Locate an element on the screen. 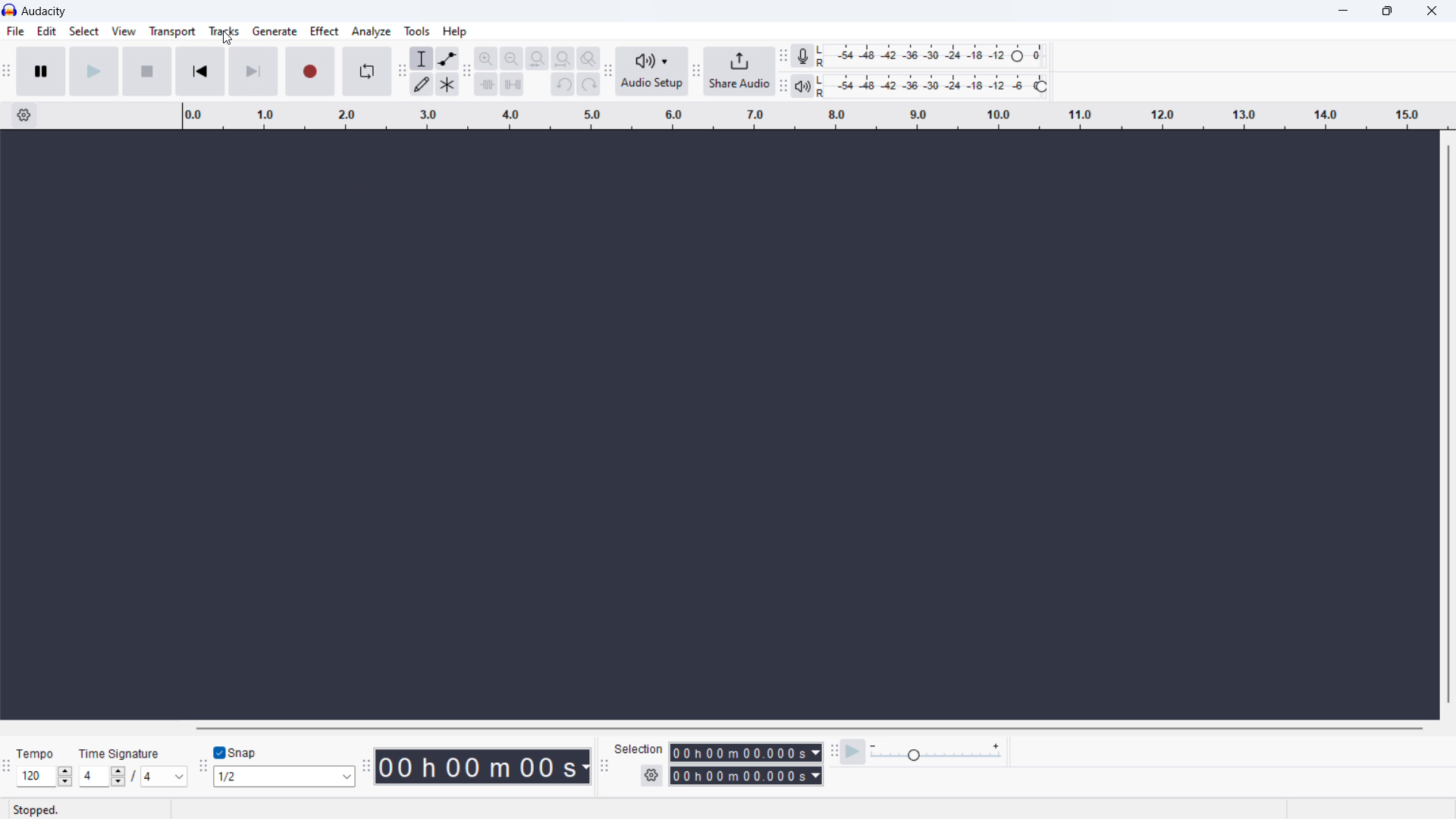 The image size is (1456, 819). generate is located at coordinates (274, 31).